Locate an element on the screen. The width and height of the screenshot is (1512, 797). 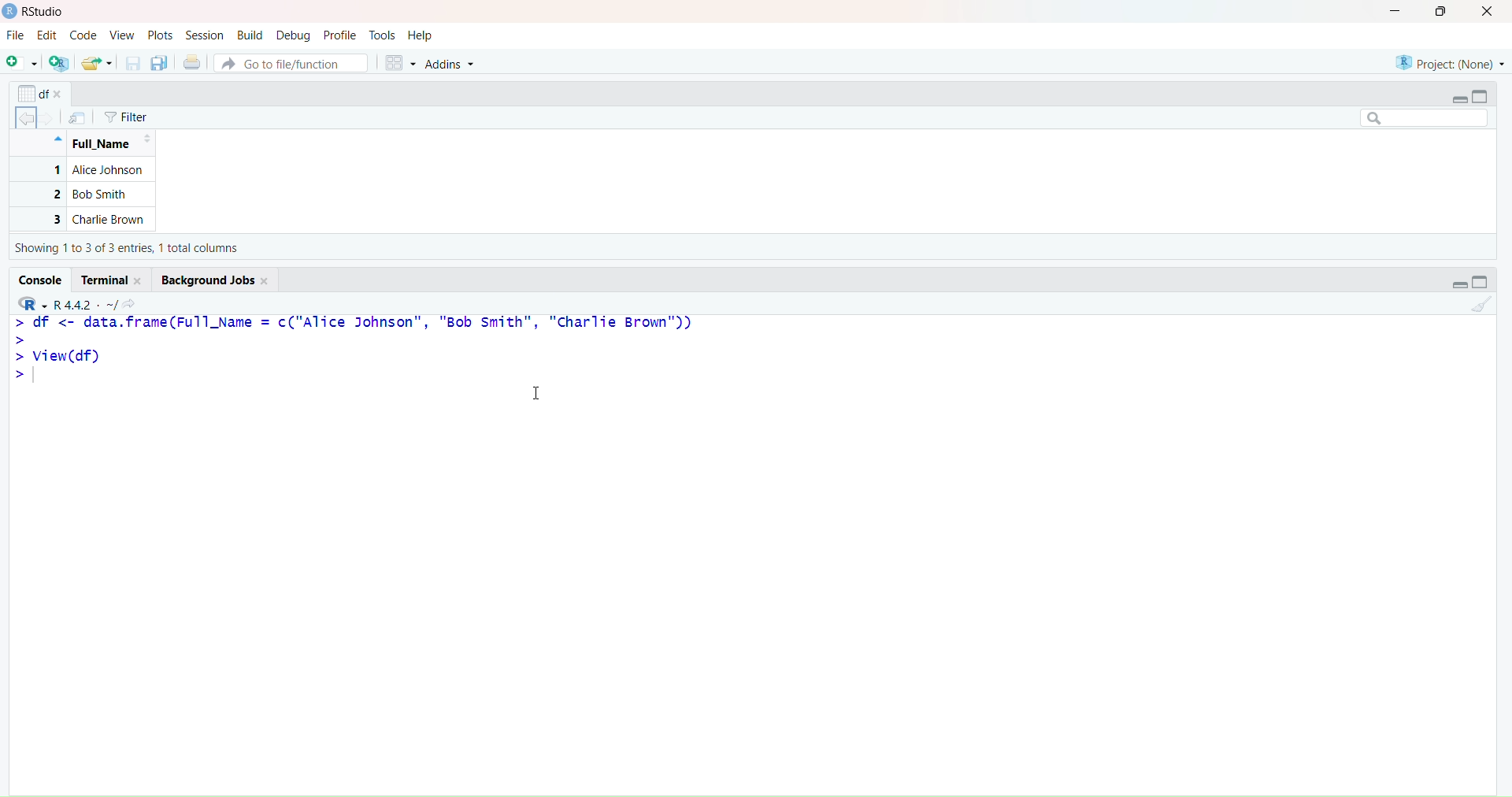
Maximize is located at coordinates (1486, 96).